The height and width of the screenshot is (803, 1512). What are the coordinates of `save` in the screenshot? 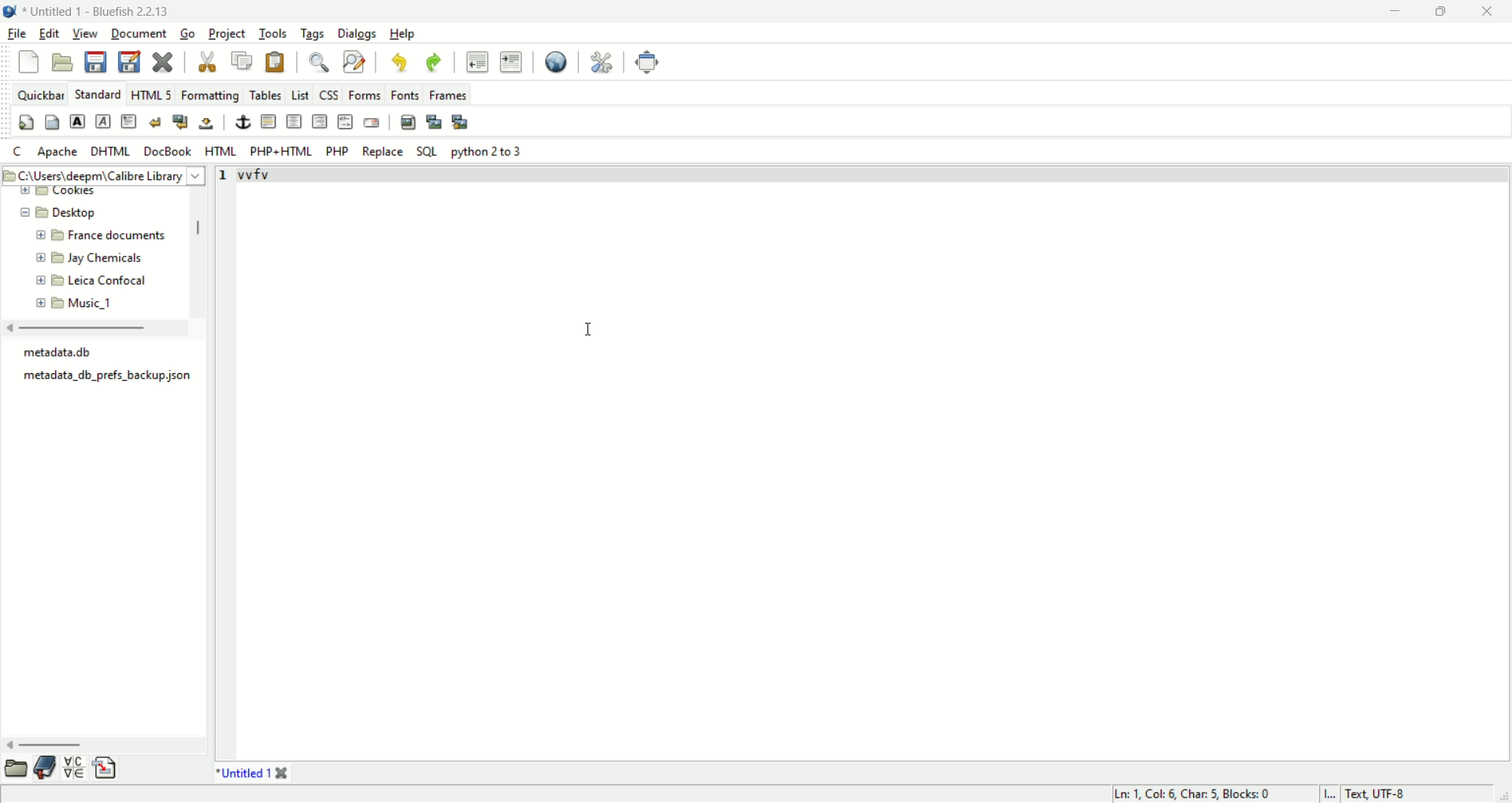 It's located at (94, 61).